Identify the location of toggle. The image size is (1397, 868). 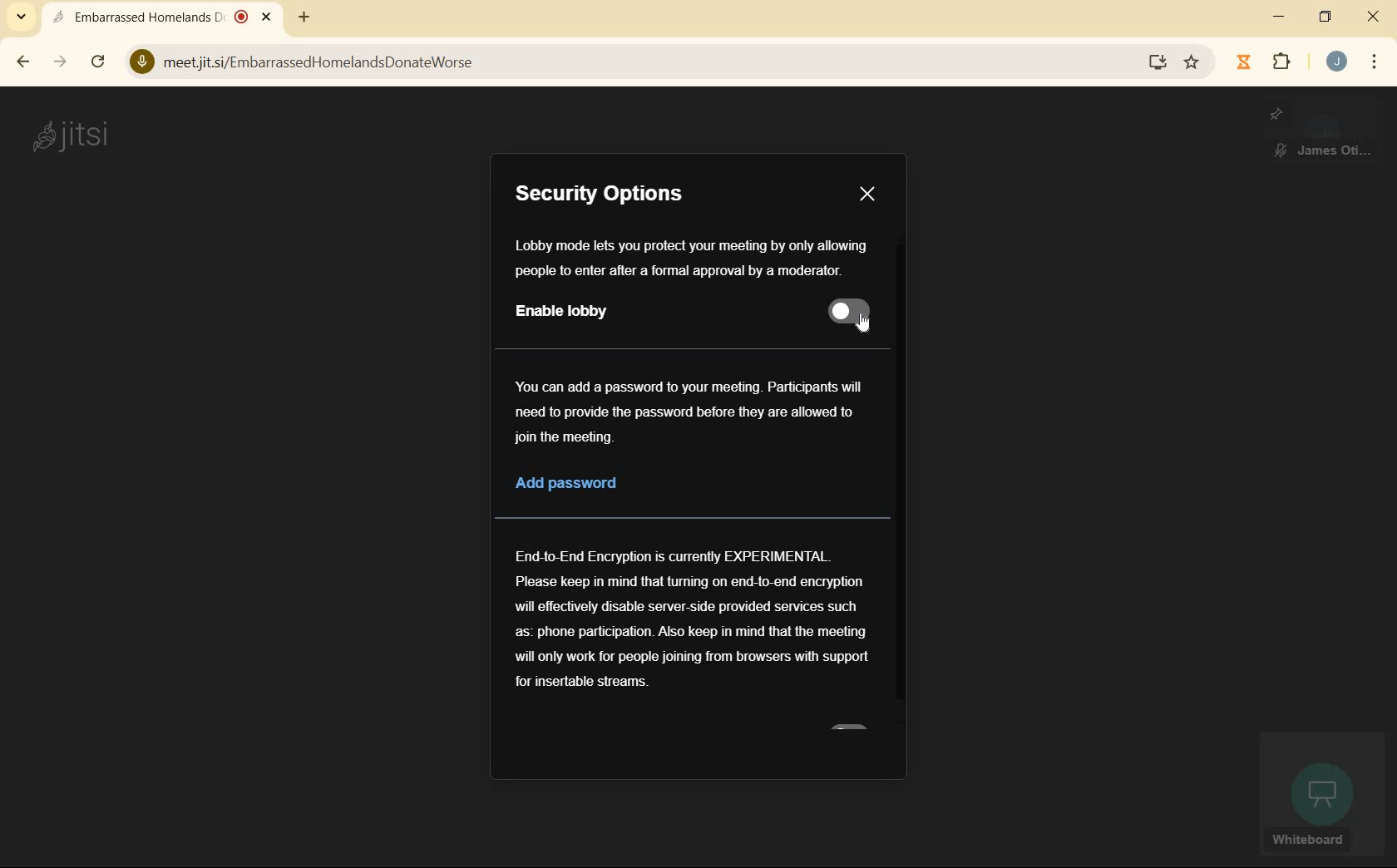
(851, 313).